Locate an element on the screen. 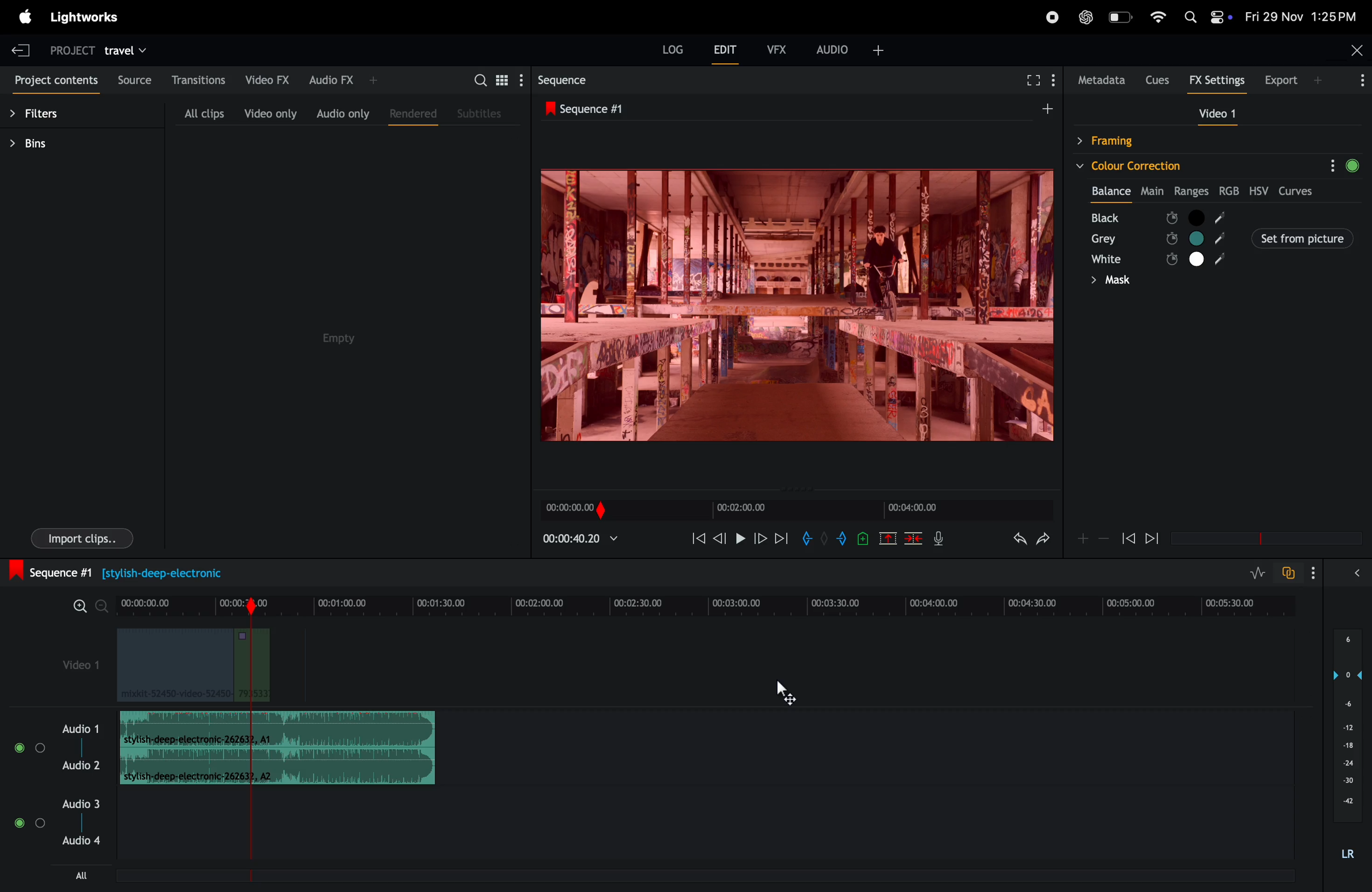  add cue to current position is located at coordinates (862, 540).